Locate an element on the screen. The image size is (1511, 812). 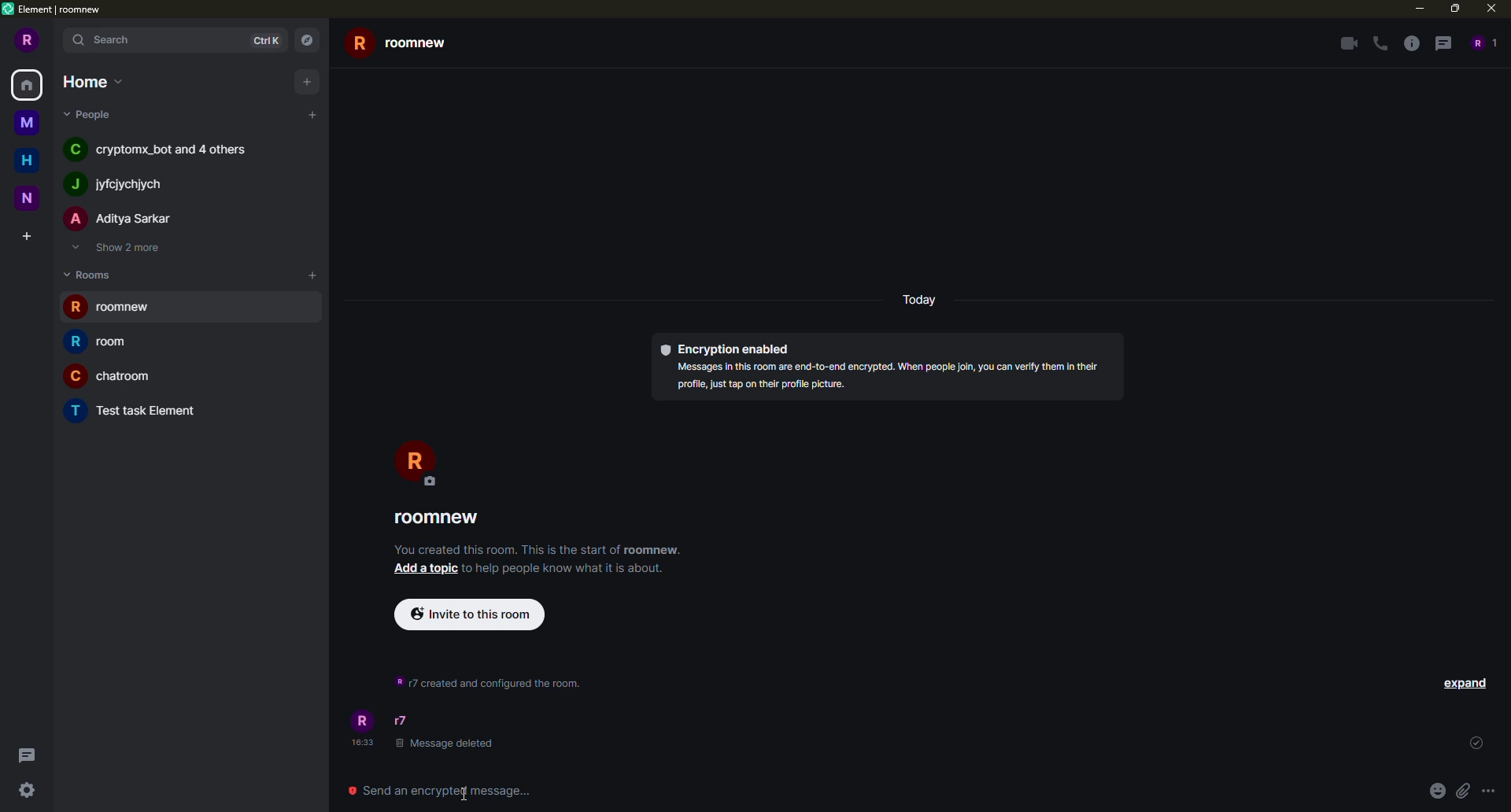
ctrlk is located at coordinates (267, 40).